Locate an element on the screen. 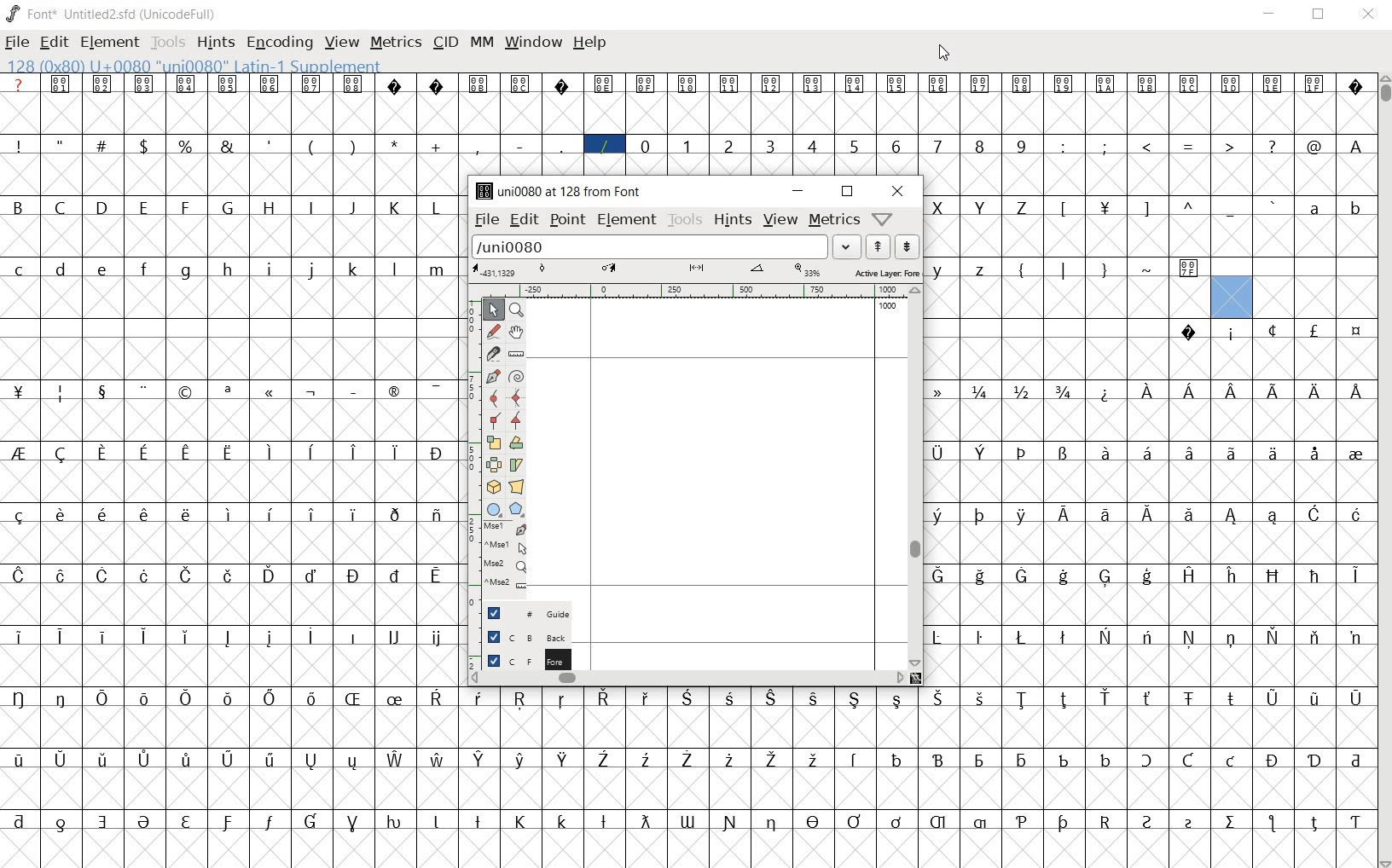  glyph is located at coordinates (980, 823).